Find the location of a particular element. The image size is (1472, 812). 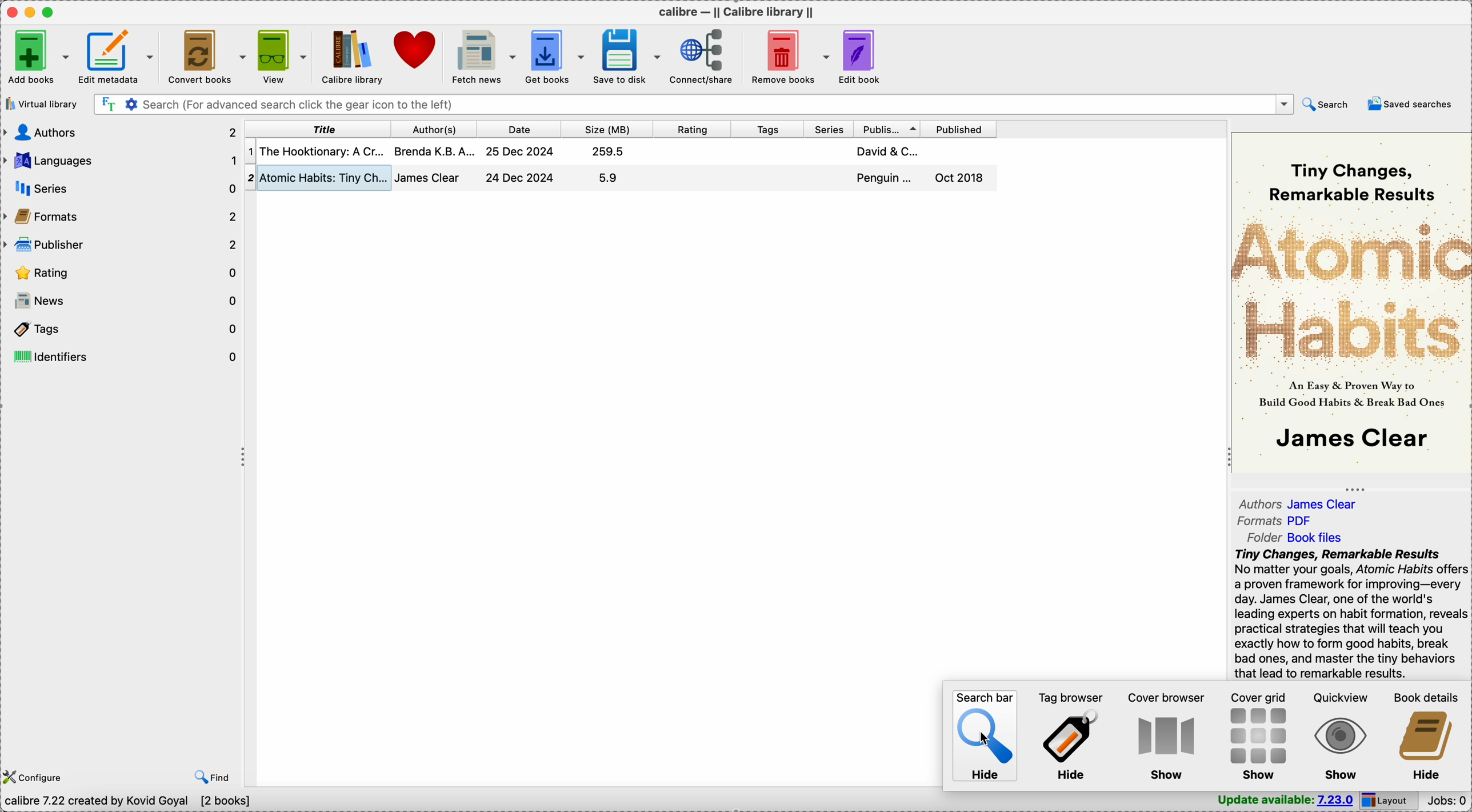

authors is located at coordinates (121, 134).